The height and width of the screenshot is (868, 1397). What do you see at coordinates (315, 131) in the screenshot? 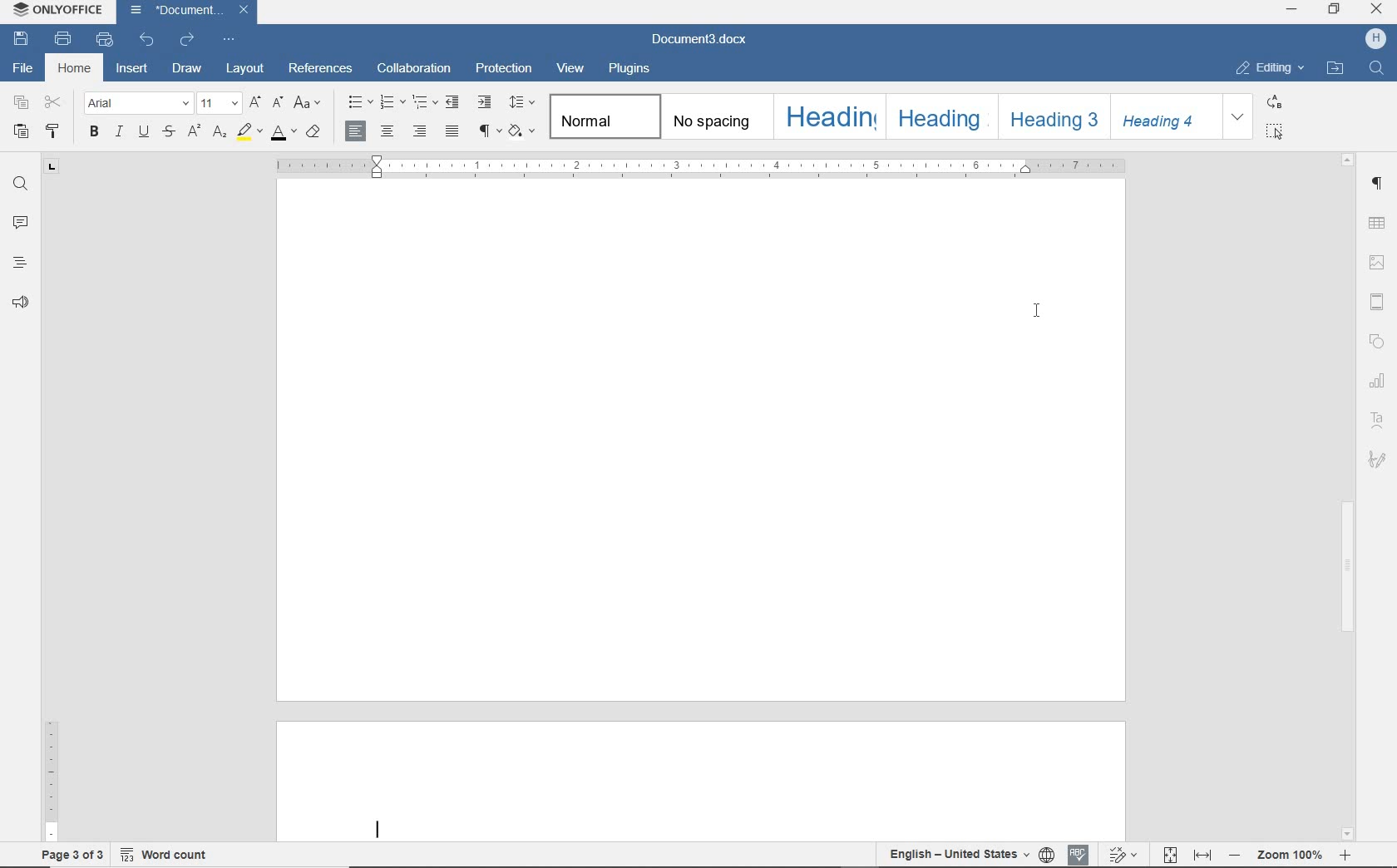
I see `CLEAR STYLE` at bounding box center [315, 131].